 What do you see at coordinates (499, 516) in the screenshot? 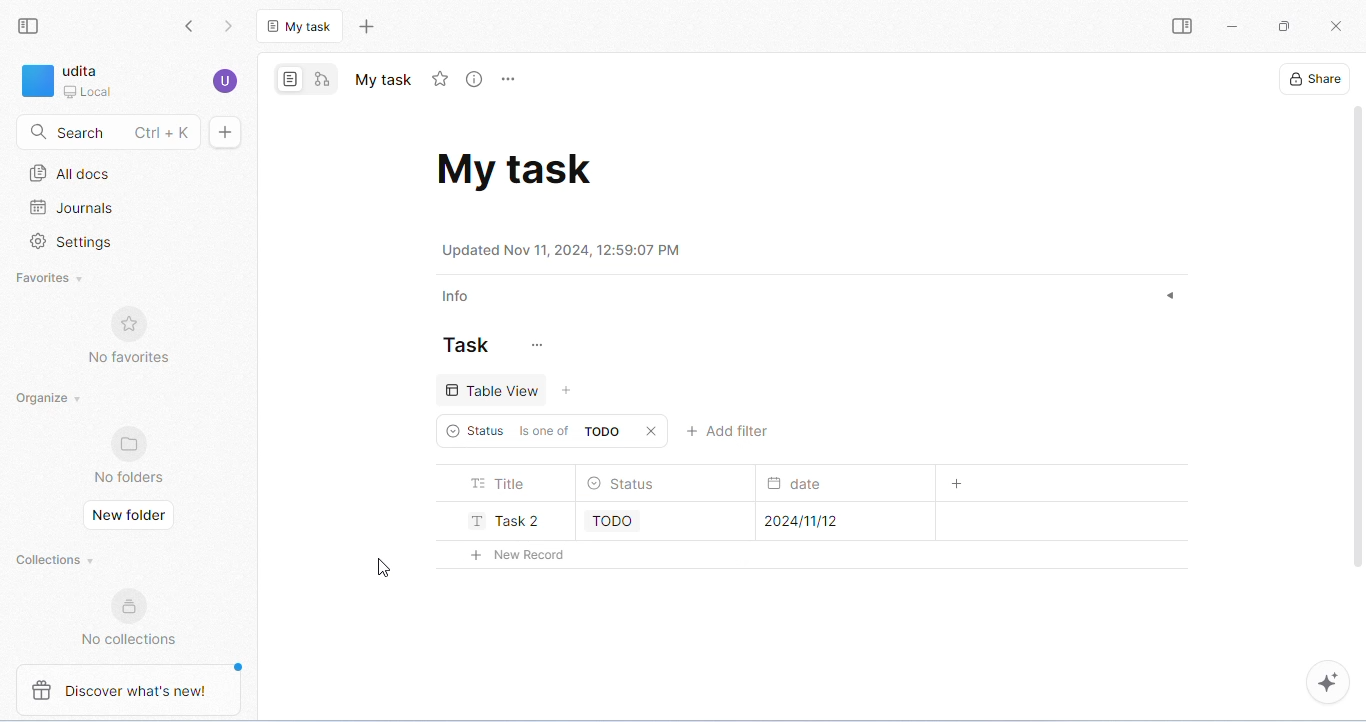
I see `task2` at bounding box center [499, 516].